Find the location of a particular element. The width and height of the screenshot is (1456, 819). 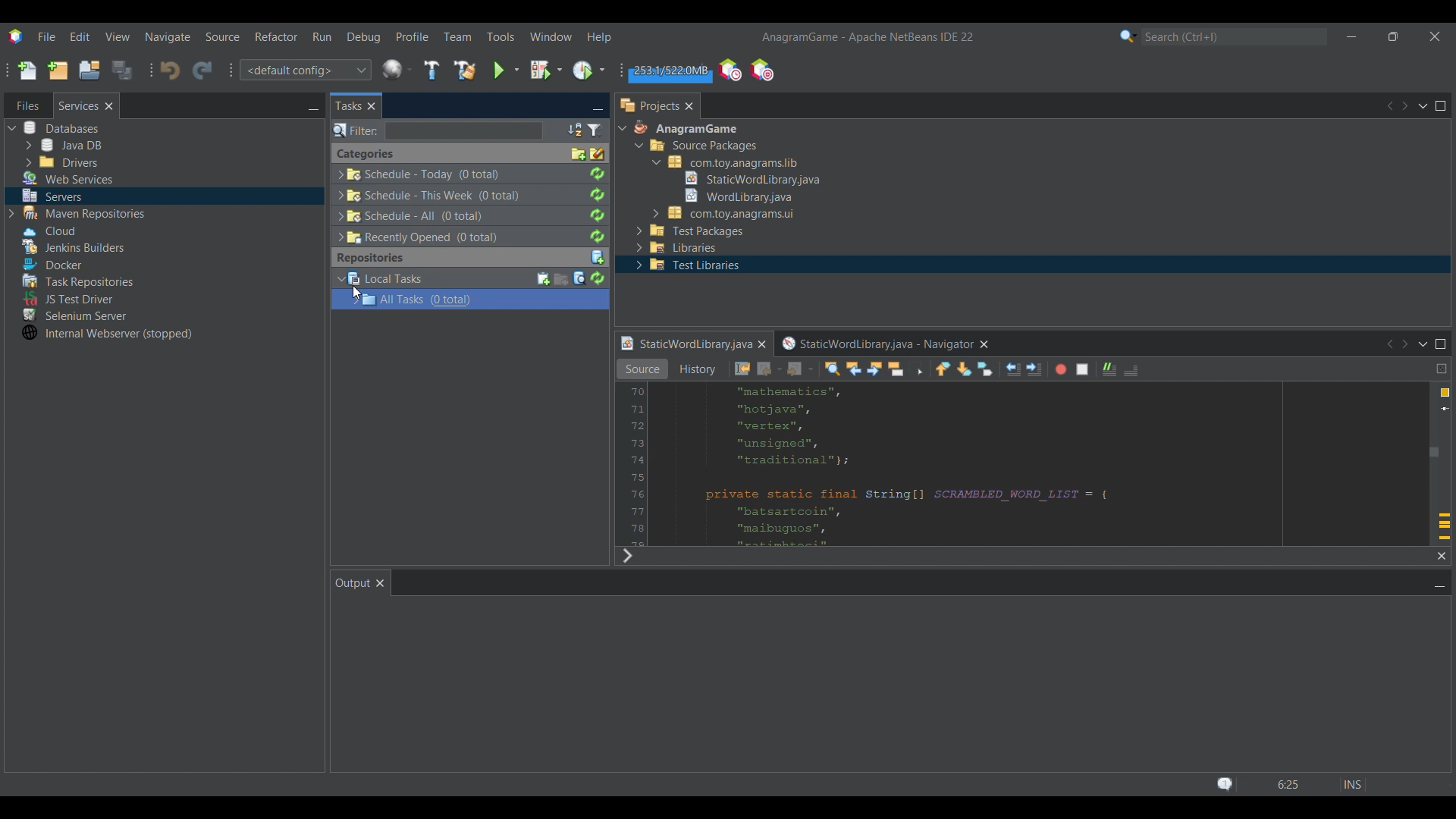

 is located at coordinates (467, 215).